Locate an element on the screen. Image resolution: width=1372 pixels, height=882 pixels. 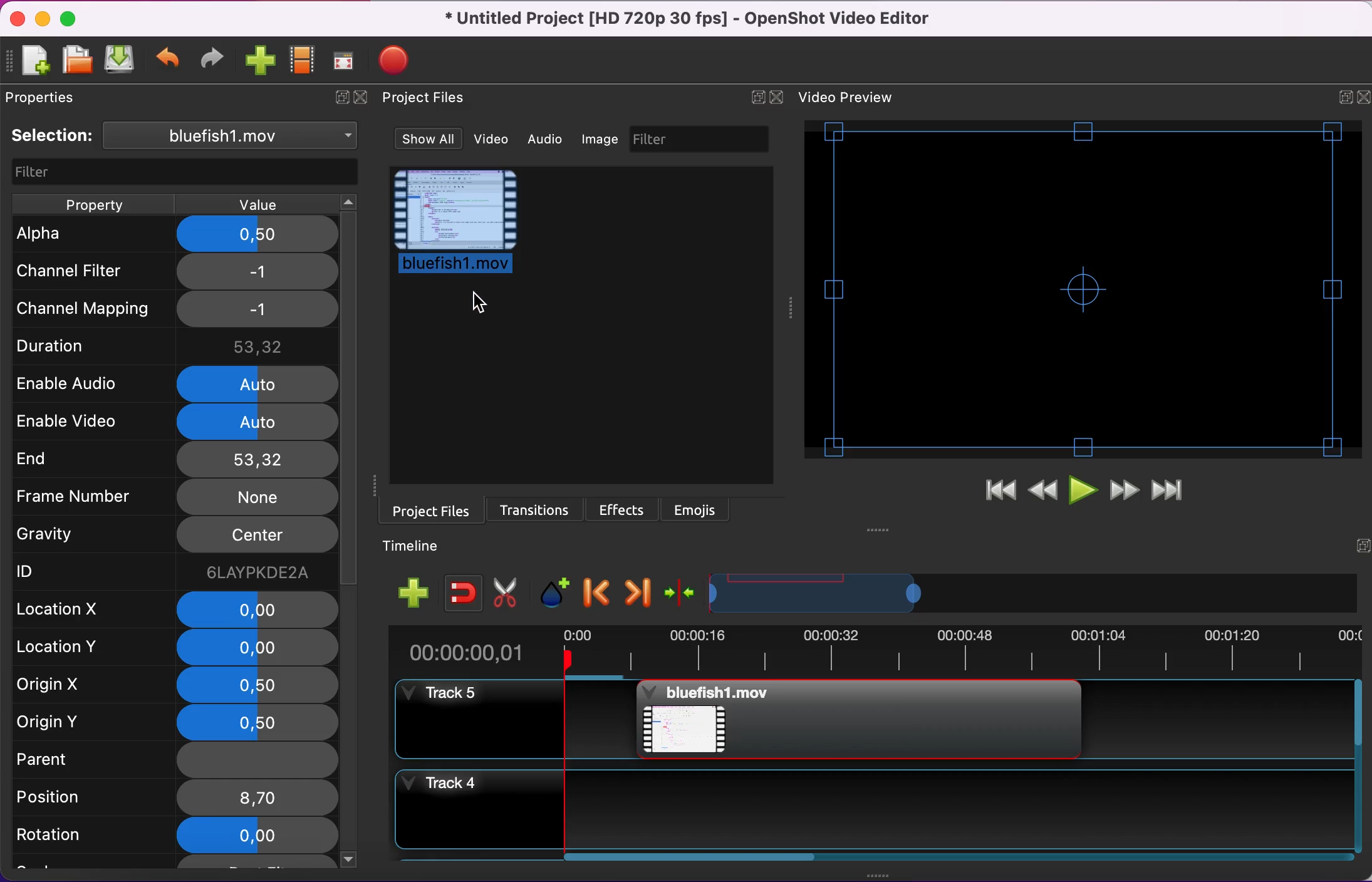
jump to start is located at coordinates (995, 487).